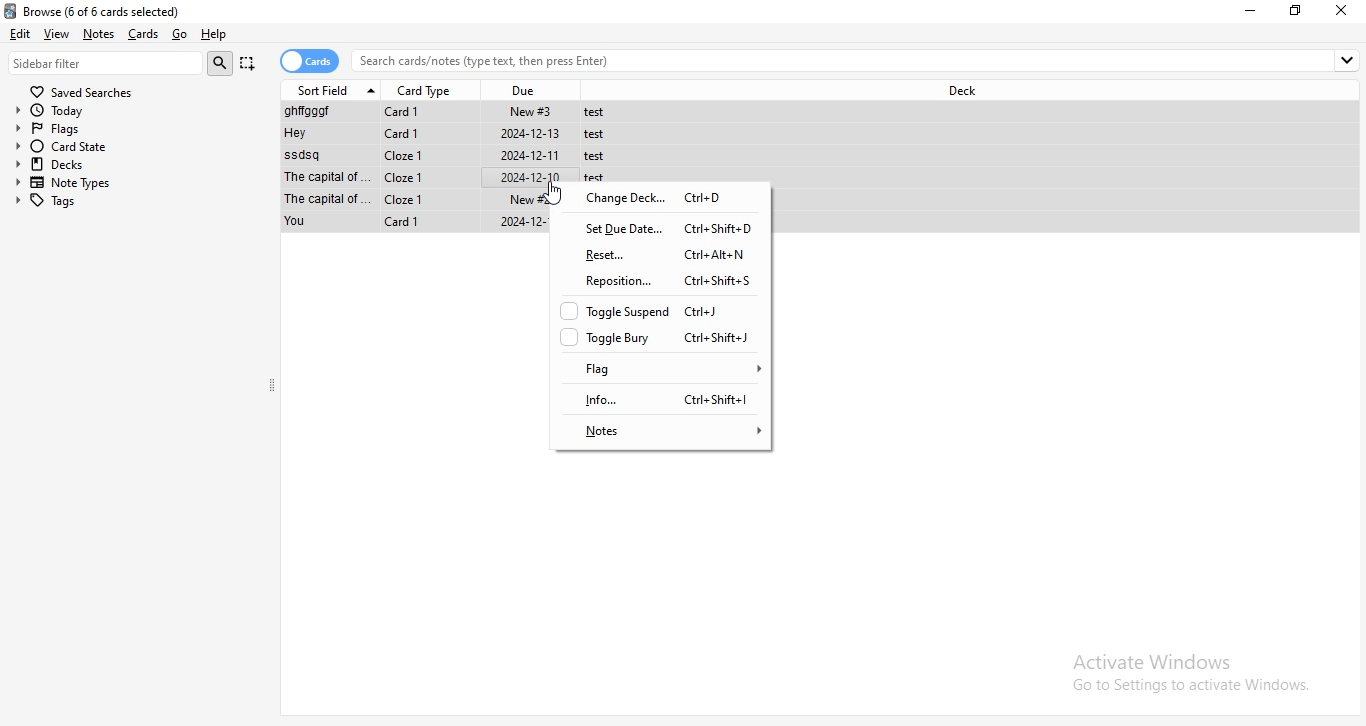 The height and width of the screenshot is (726, 1366). I want to click on help, so click(219, 36).